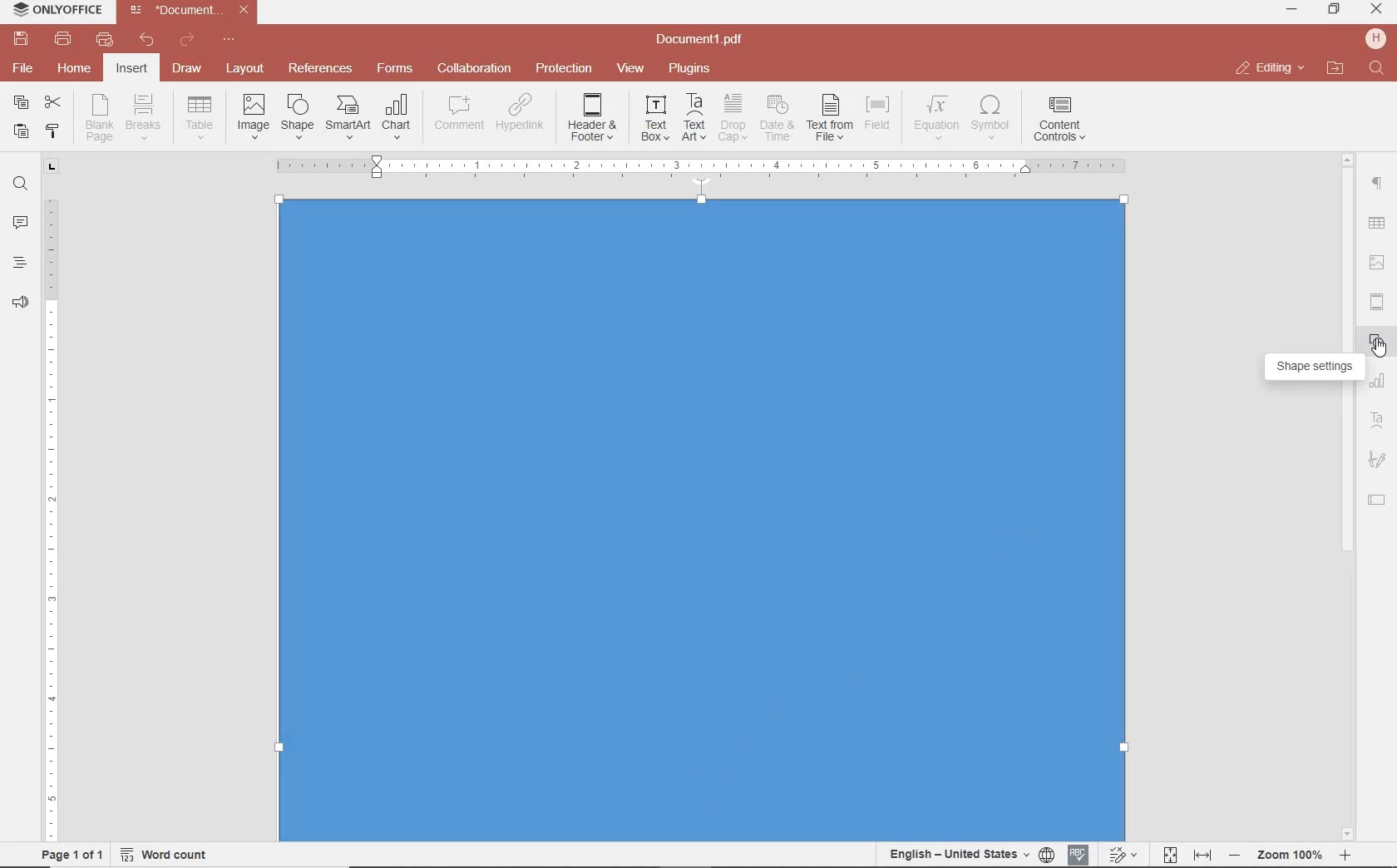 The height and width of the screenshot is (868, 1397). What do you see at coordinates (1377, 461) in the screenshot?
I see `SIGNATURE` at bounding box center [1377, 461].